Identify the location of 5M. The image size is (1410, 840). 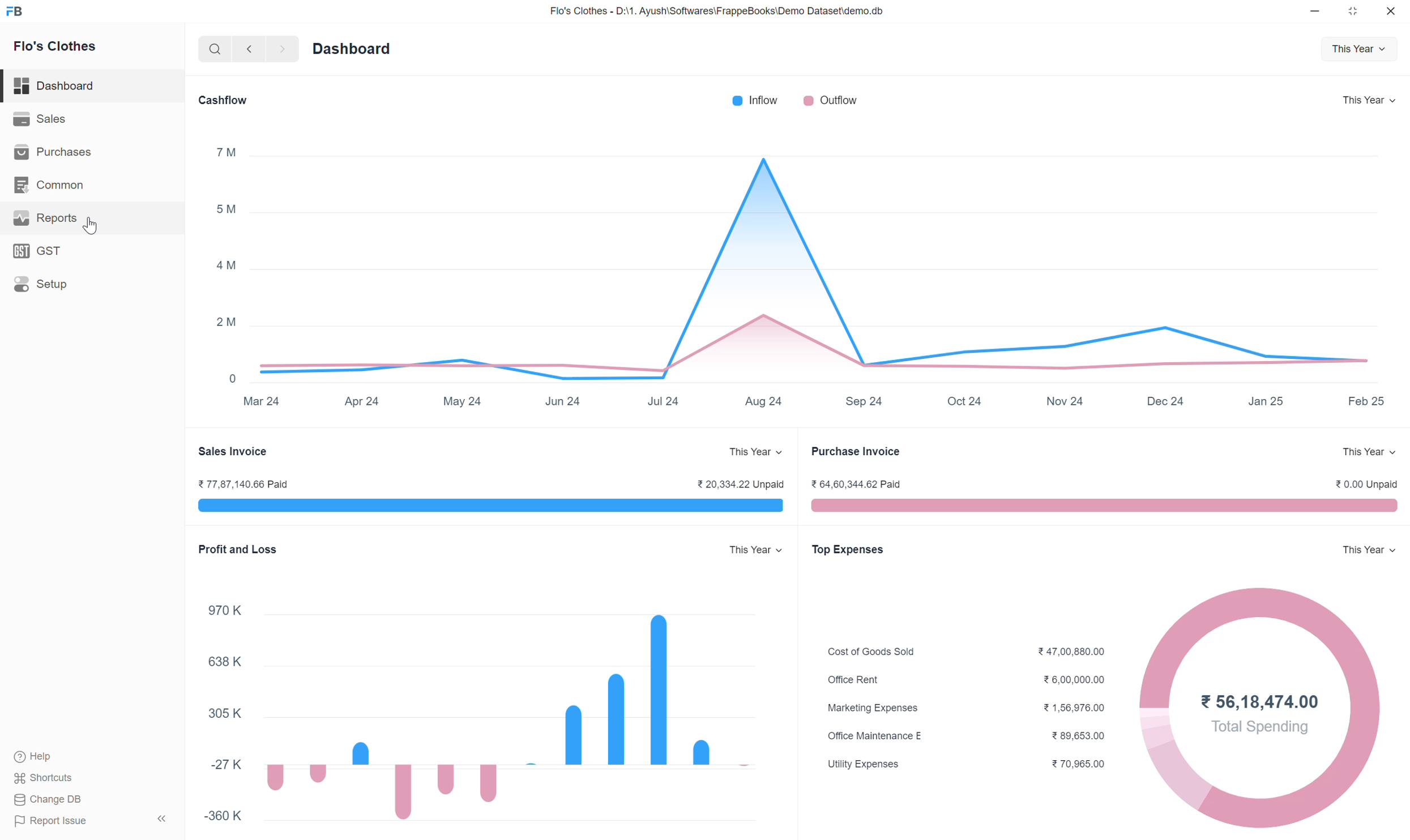
(225, 208).